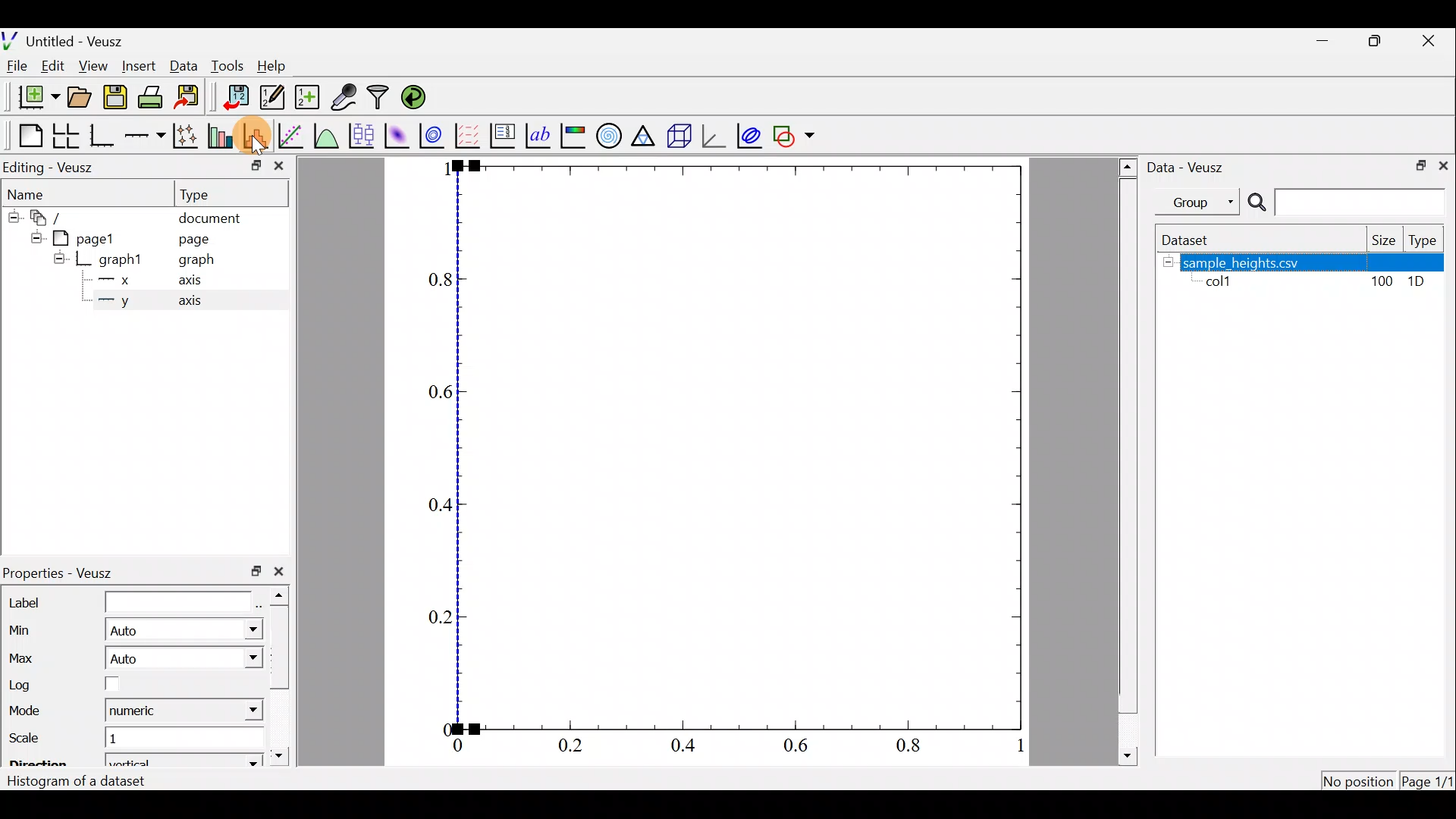 This screenshot has height=819, width=1456. What do you see at coordinates (118, 260) in the screenshot?
I see `graph1` at bounding box center [118, 260].